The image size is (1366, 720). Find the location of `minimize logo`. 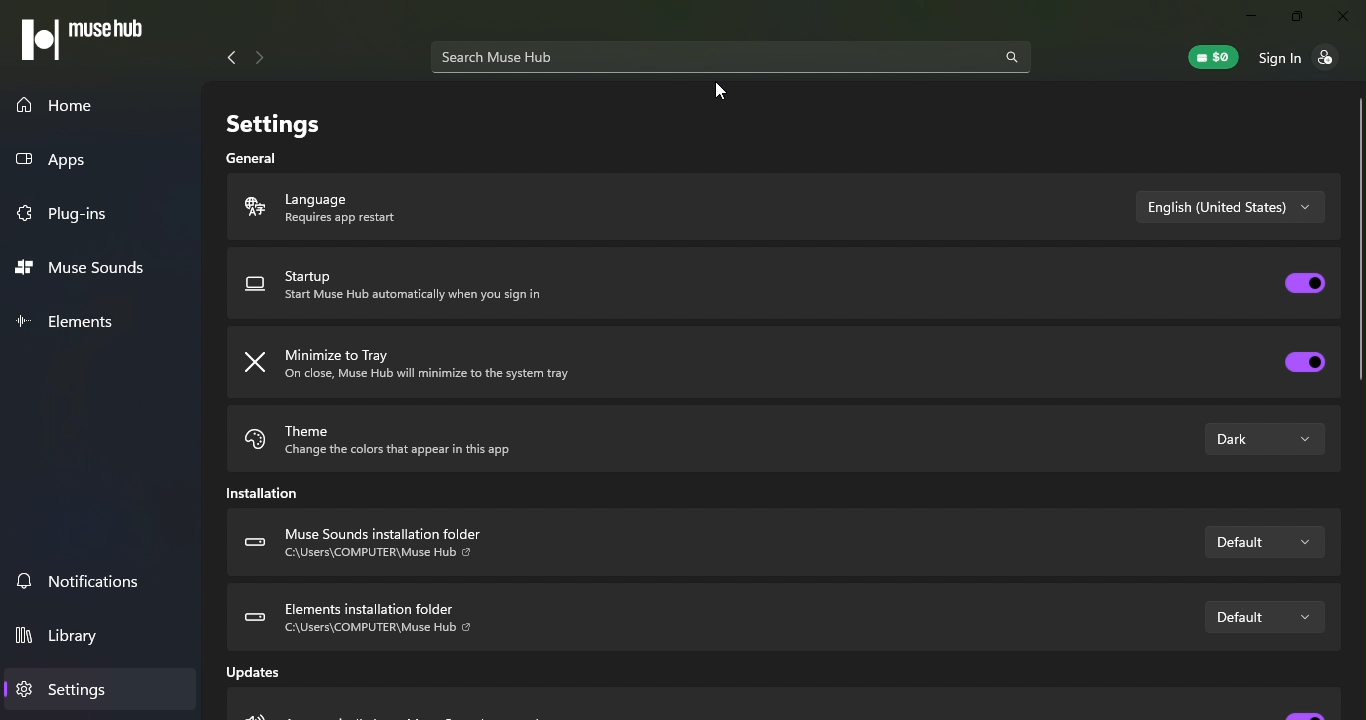

minimize logo is located at coordinates (259, 364).